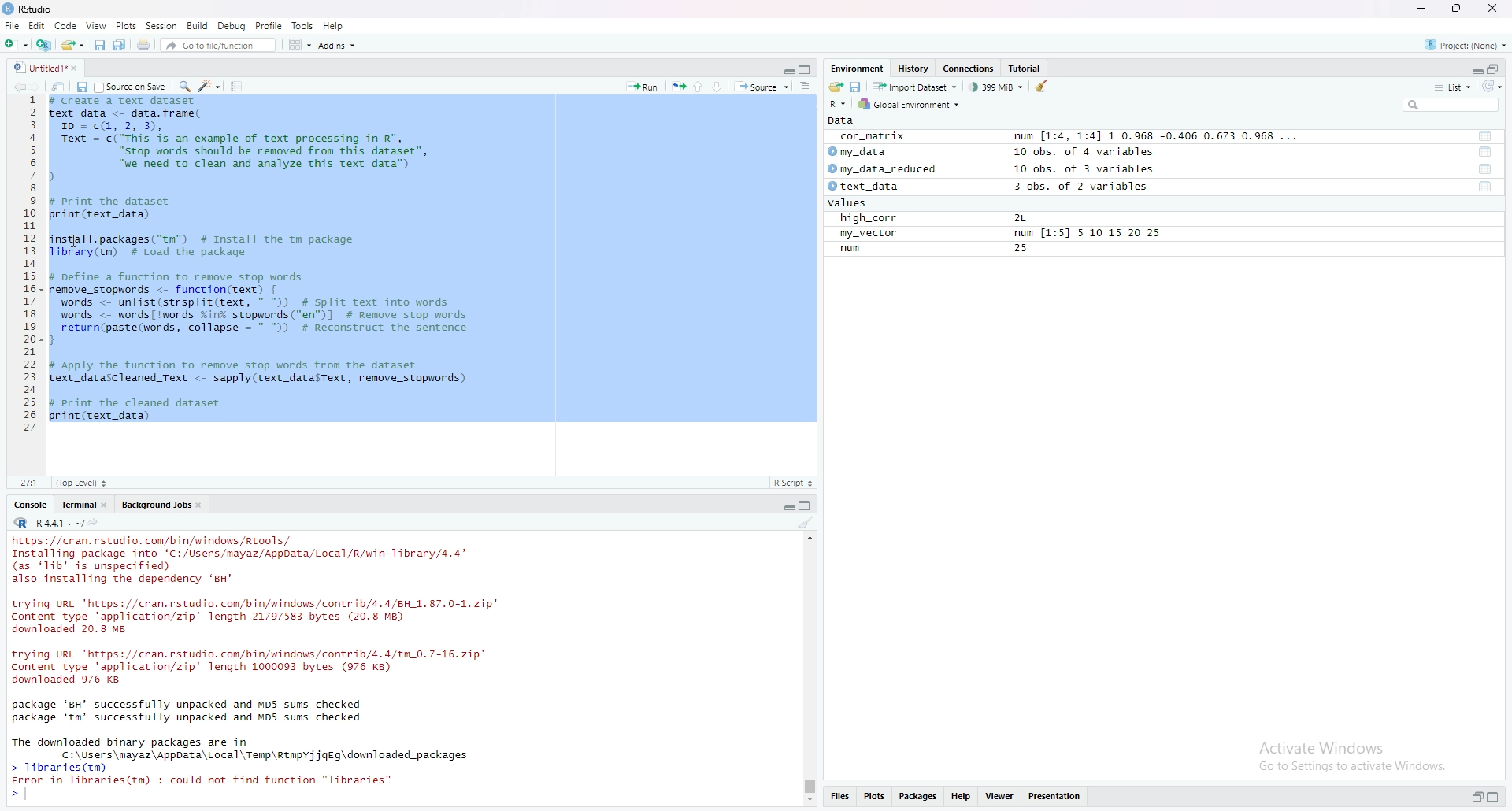  What do you see at coordinates (788, 71) in the screenshot?
I see `expand` at bounding box center [788, 71].